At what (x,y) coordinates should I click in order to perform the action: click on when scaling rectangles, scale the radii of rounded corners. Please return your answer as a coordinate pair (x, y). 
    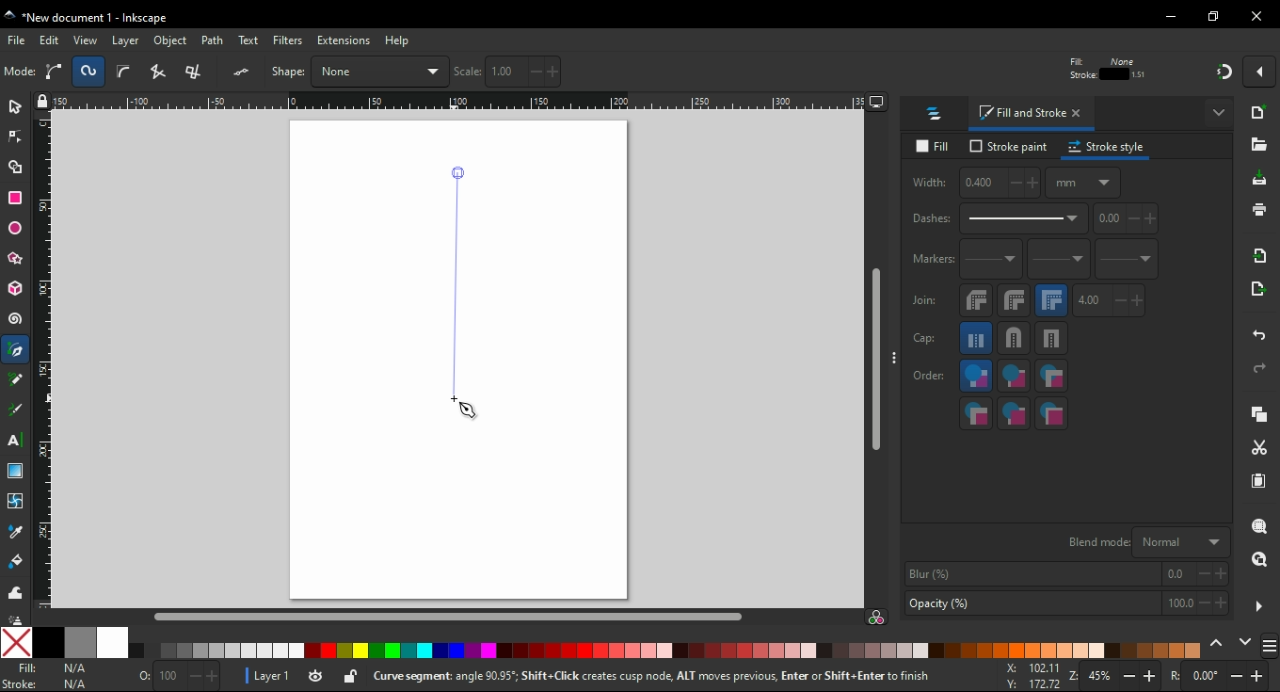
    Looking at the image, I should click on (1104, 72).